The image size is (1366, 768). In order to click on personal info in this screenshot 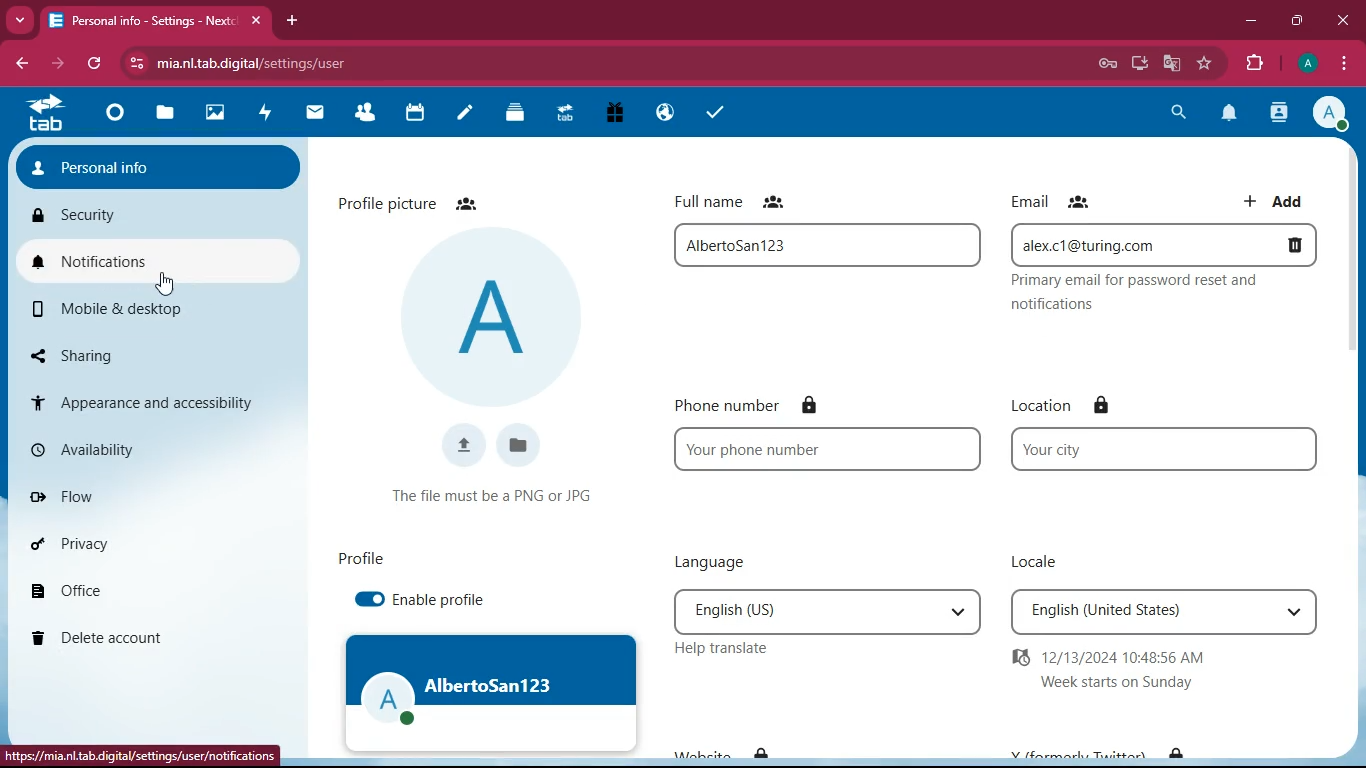, I will do `click(160, 167)`.